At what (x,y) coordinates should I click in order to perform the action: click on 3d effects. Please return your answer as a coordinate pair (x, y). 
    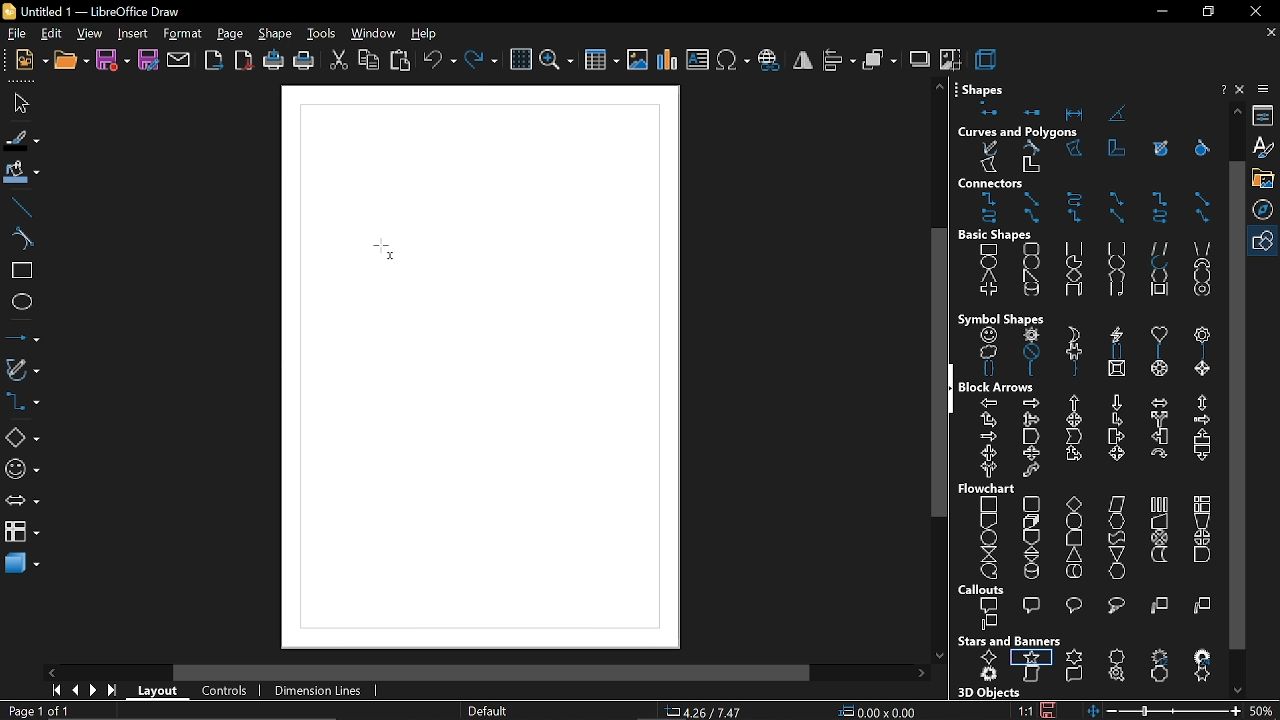
    Looking at the image, I should click on (989, 59).